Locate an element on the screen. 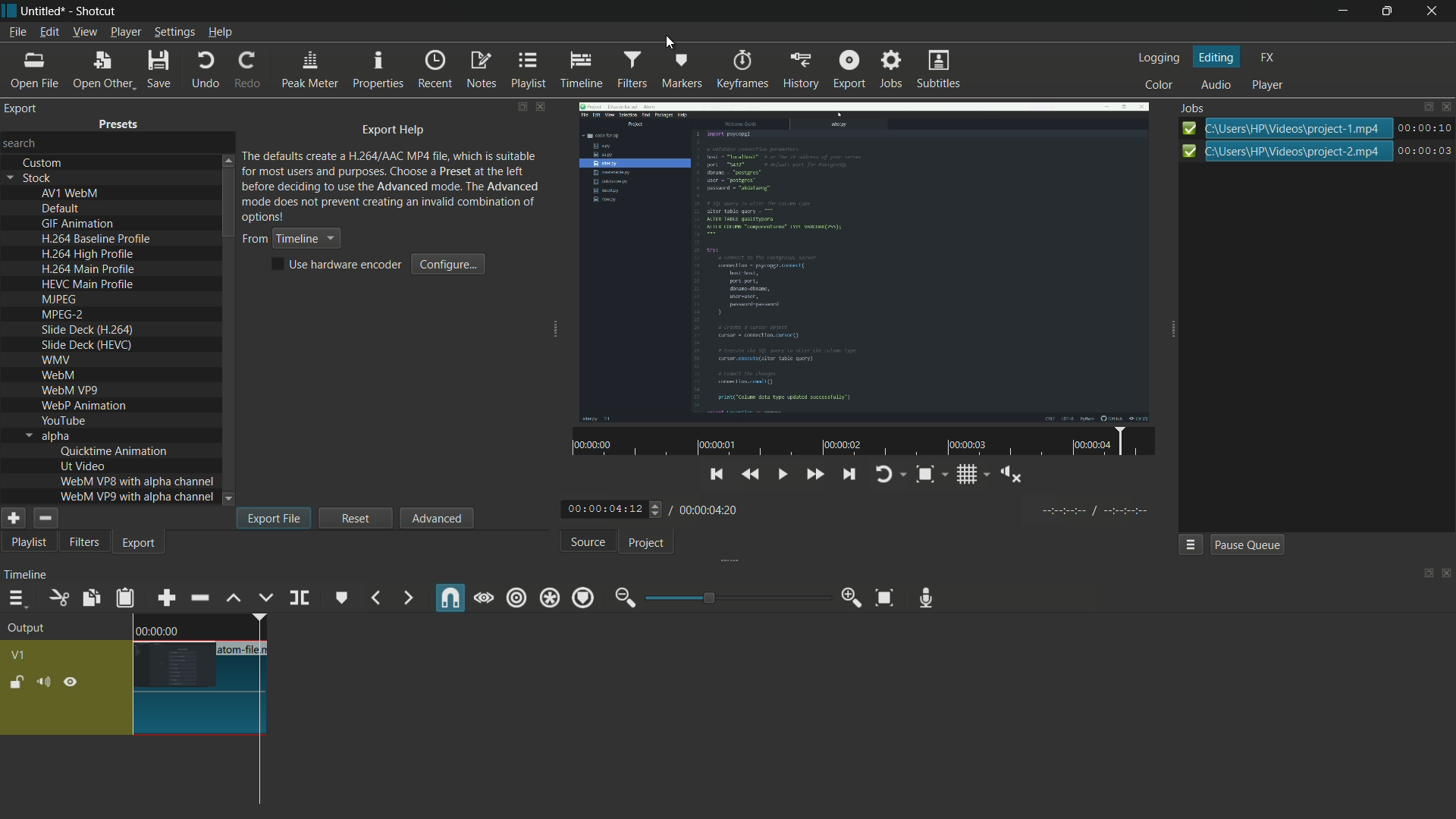  mpeg-2 is located at coordinates (61, 315).